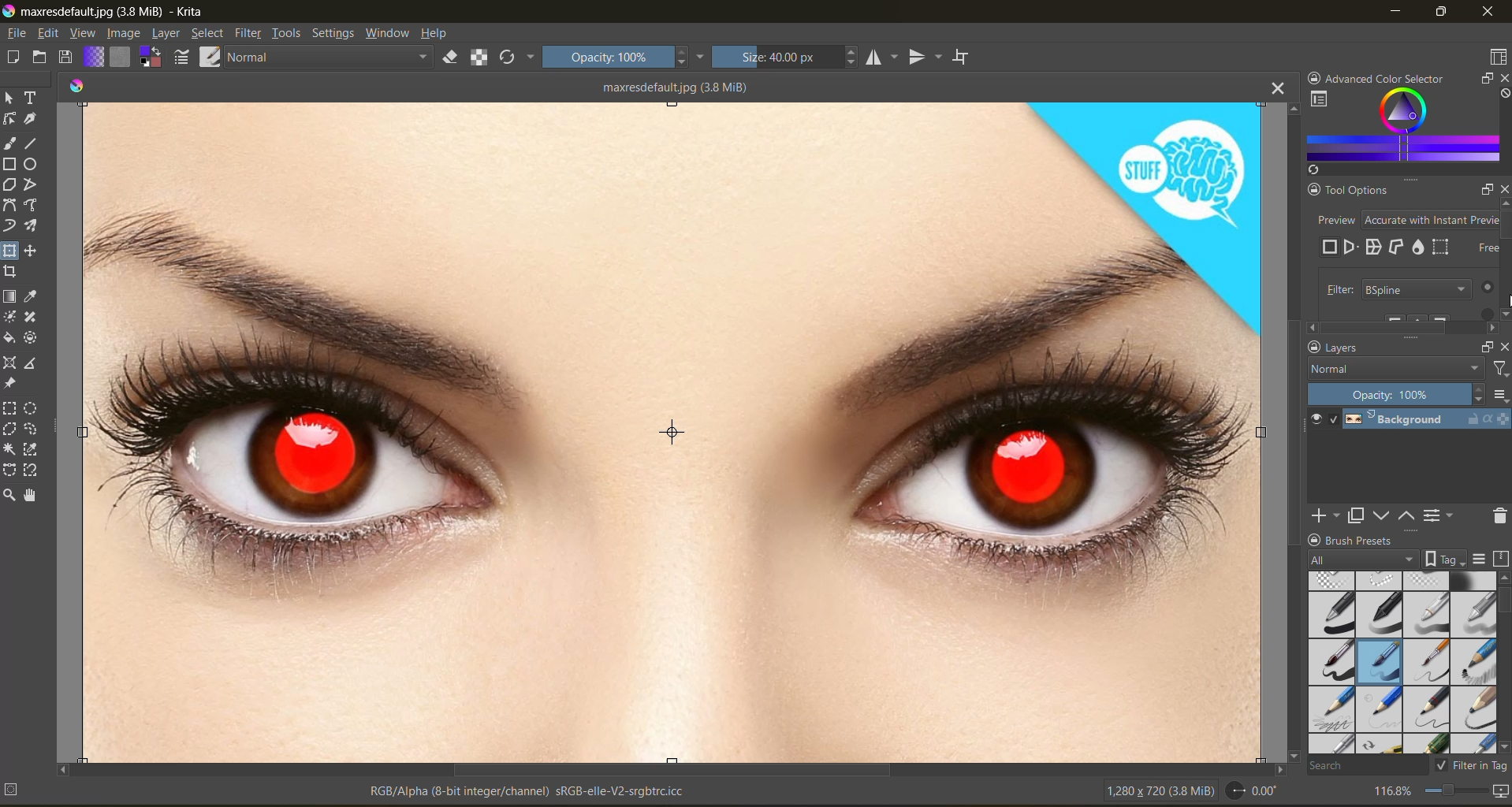  What do you see at coordinates (1445, 558) in the screenshot?
I see `show tag box` at bounding box center [1445, 558].